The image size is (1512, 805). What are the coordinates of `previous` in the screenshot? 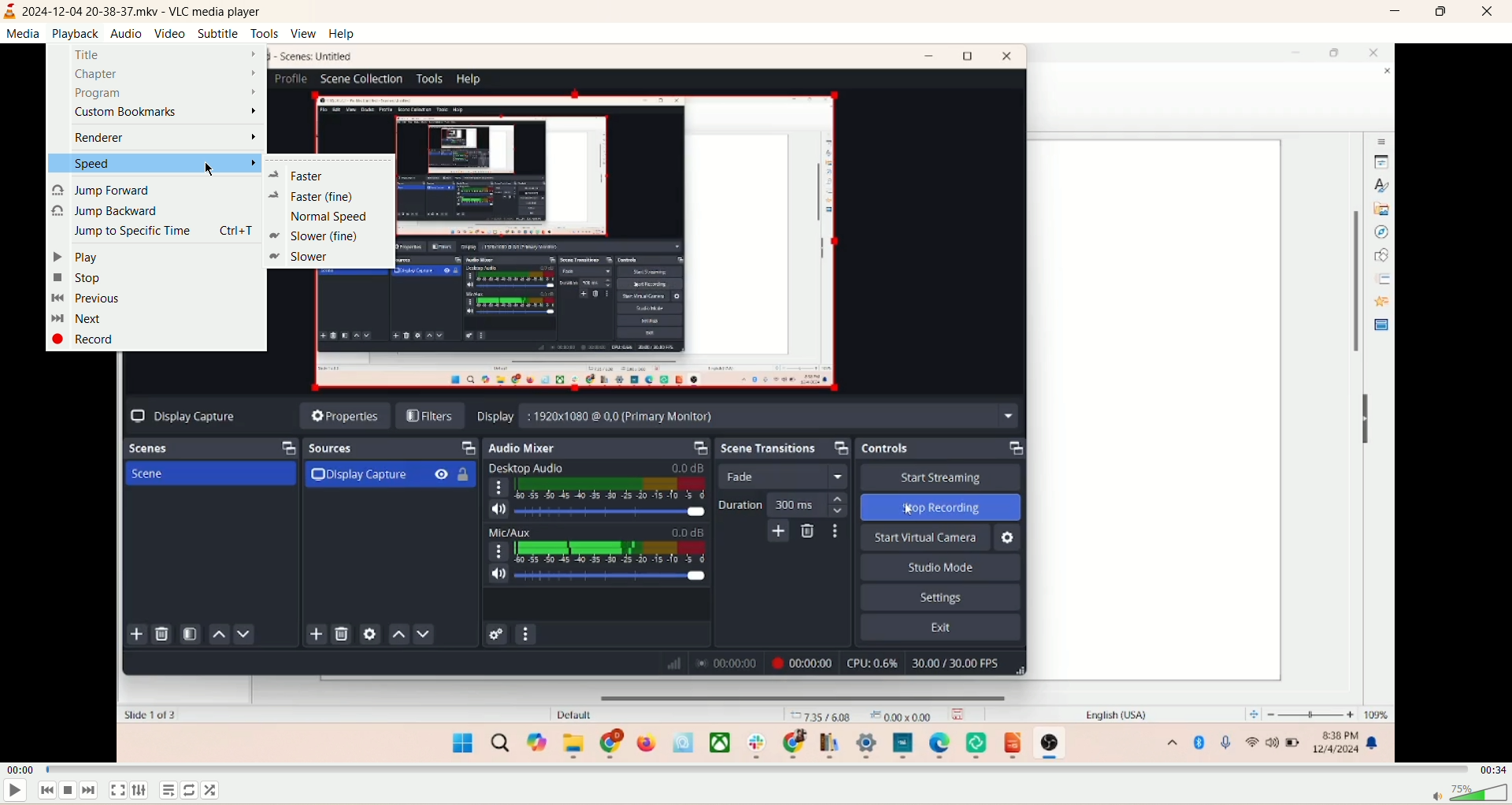 It's located at (87, 299).